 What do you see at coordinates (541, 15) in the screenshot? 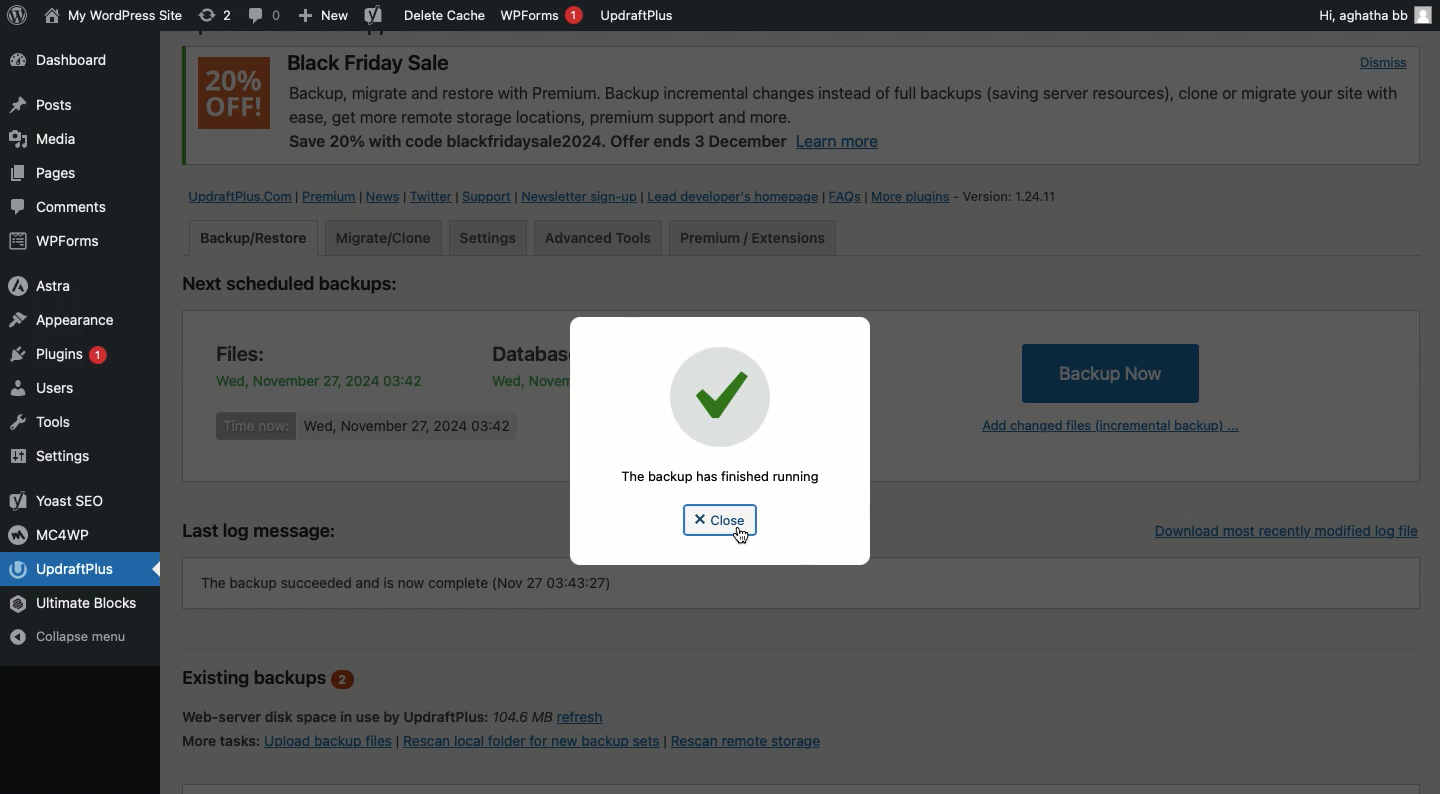
I see `WPForms 1` at bounding box center [541, 15].